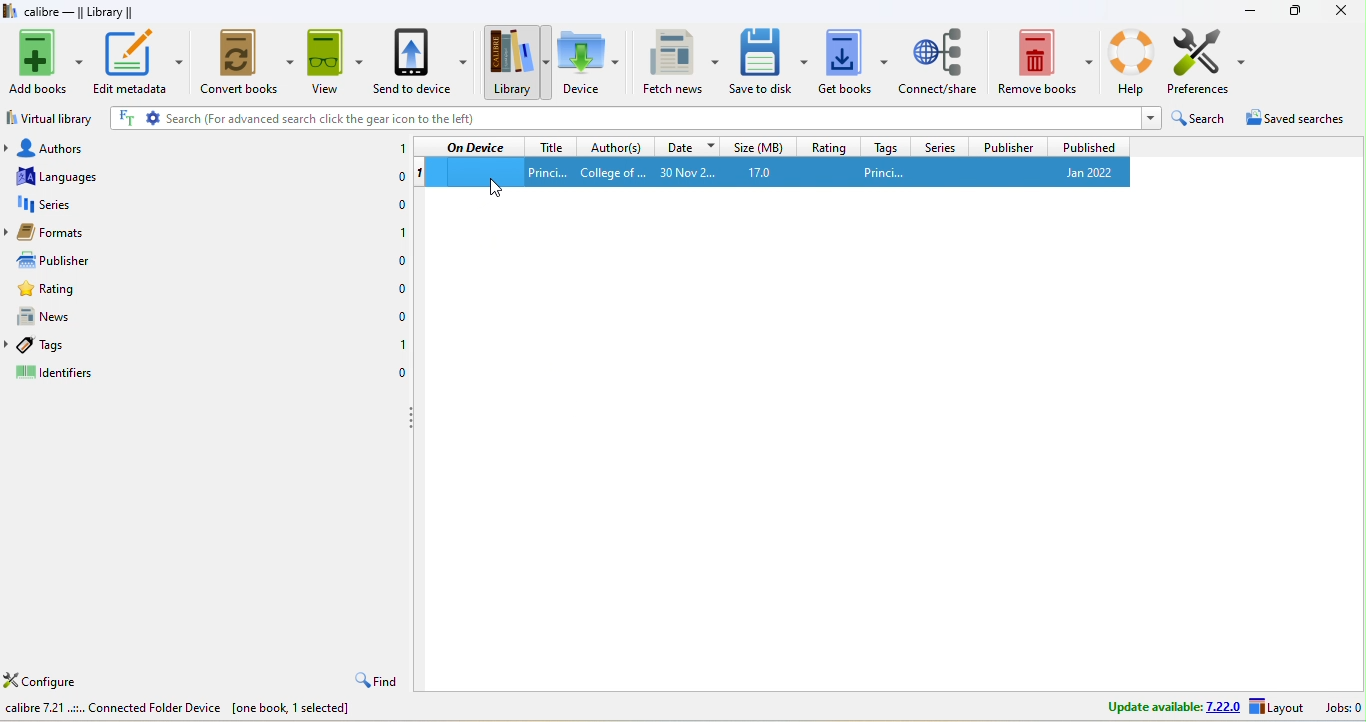 The image size is (1366, 722). I want to click on title, so click(547, 171).